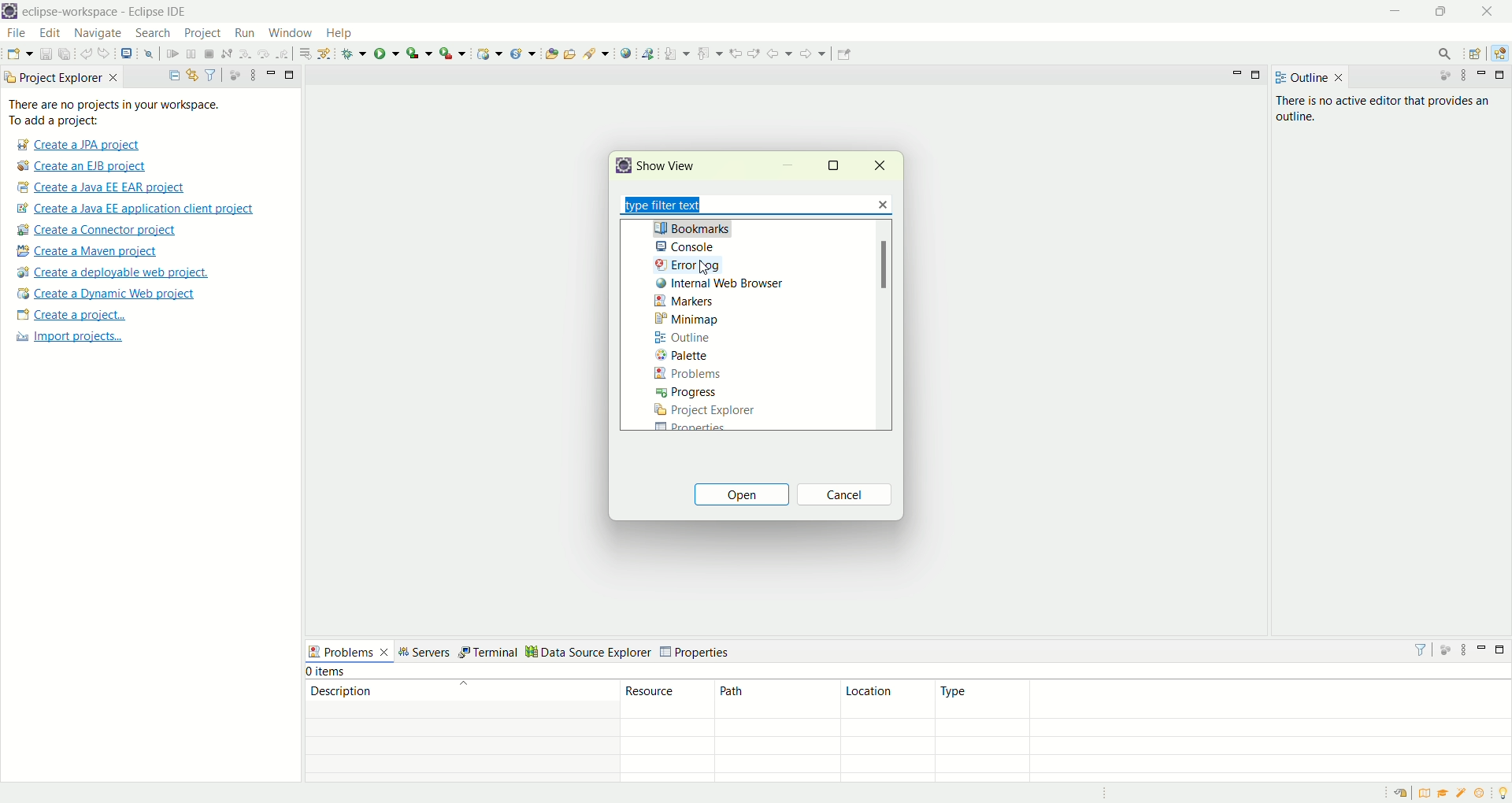  What do you see at coordinates (191, 73) in the screenshot?
I see `link with editor` at bounding box center [191, 73].